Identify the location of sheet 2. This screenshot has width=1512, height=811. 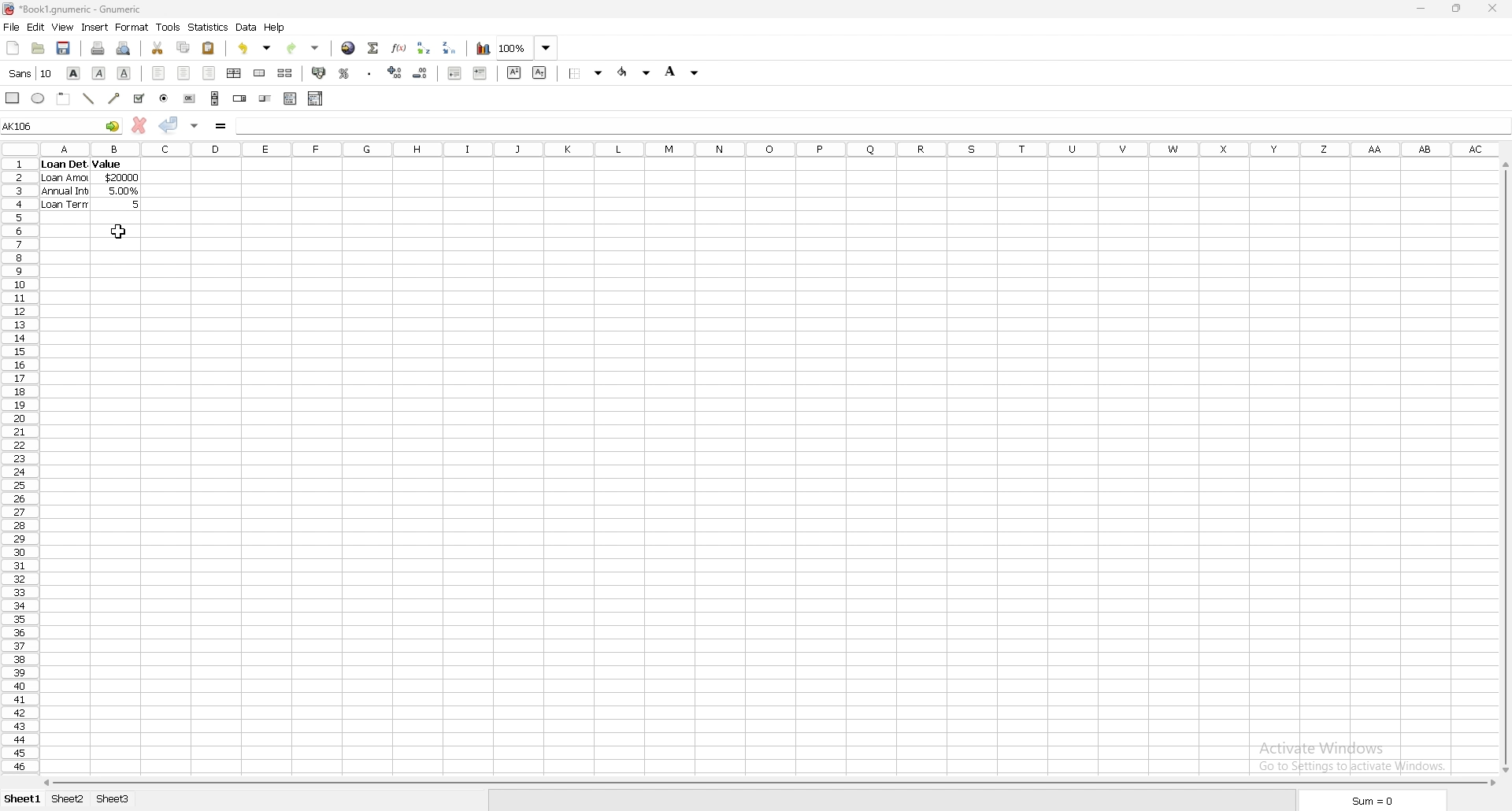
(69, 799).